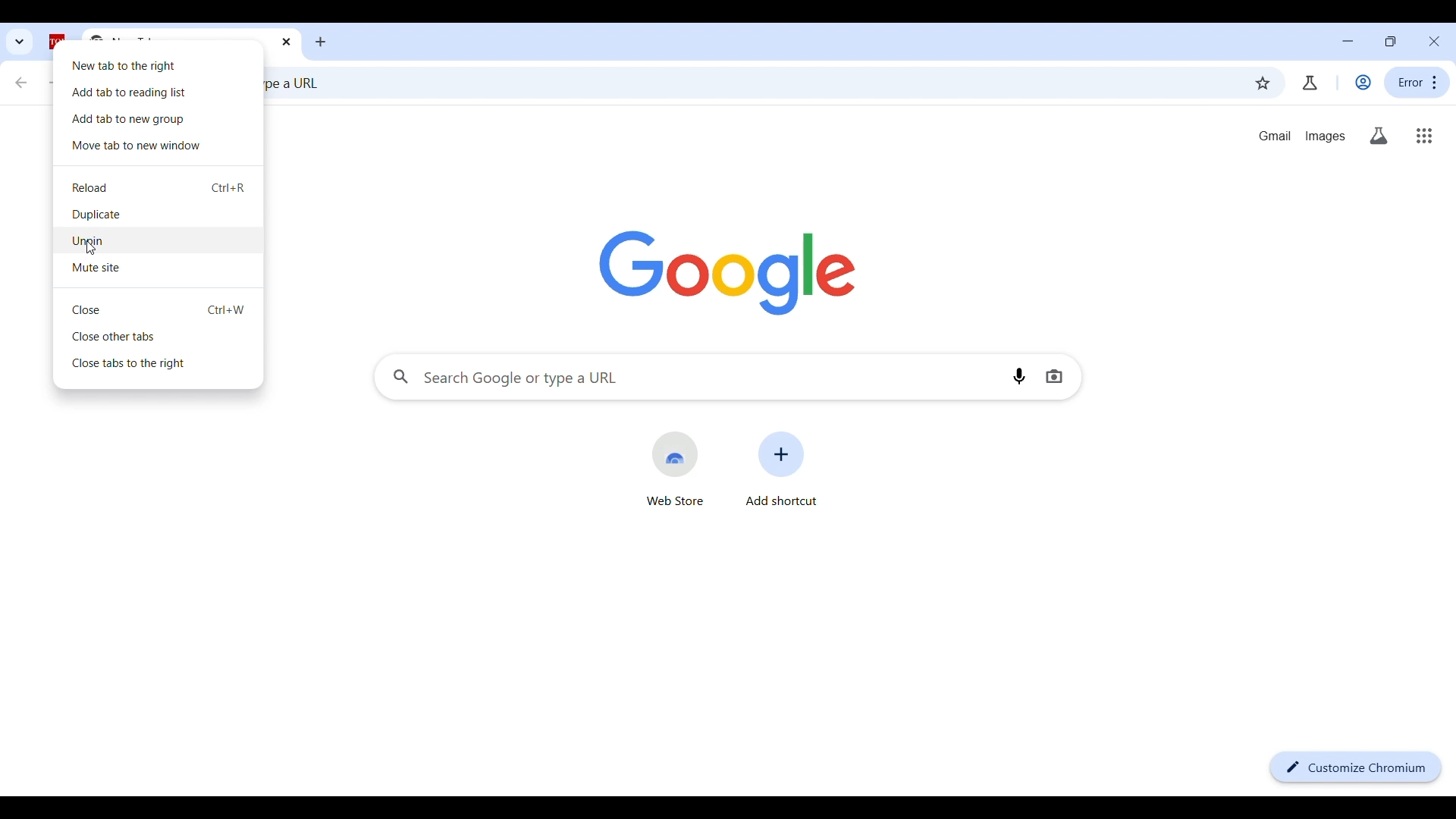  I want to click on Gmail, so click(1275, 136).